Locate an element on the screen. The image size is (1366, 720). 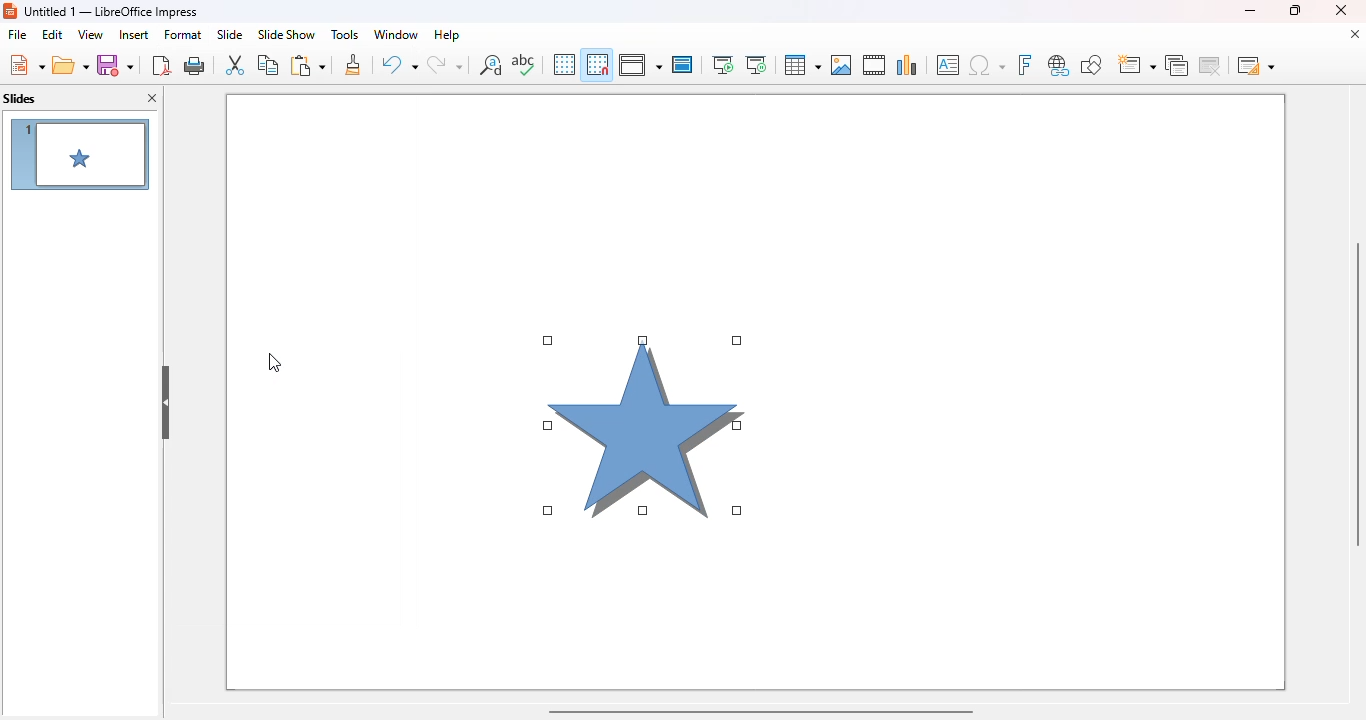
print is located at coordinates (196, 65).